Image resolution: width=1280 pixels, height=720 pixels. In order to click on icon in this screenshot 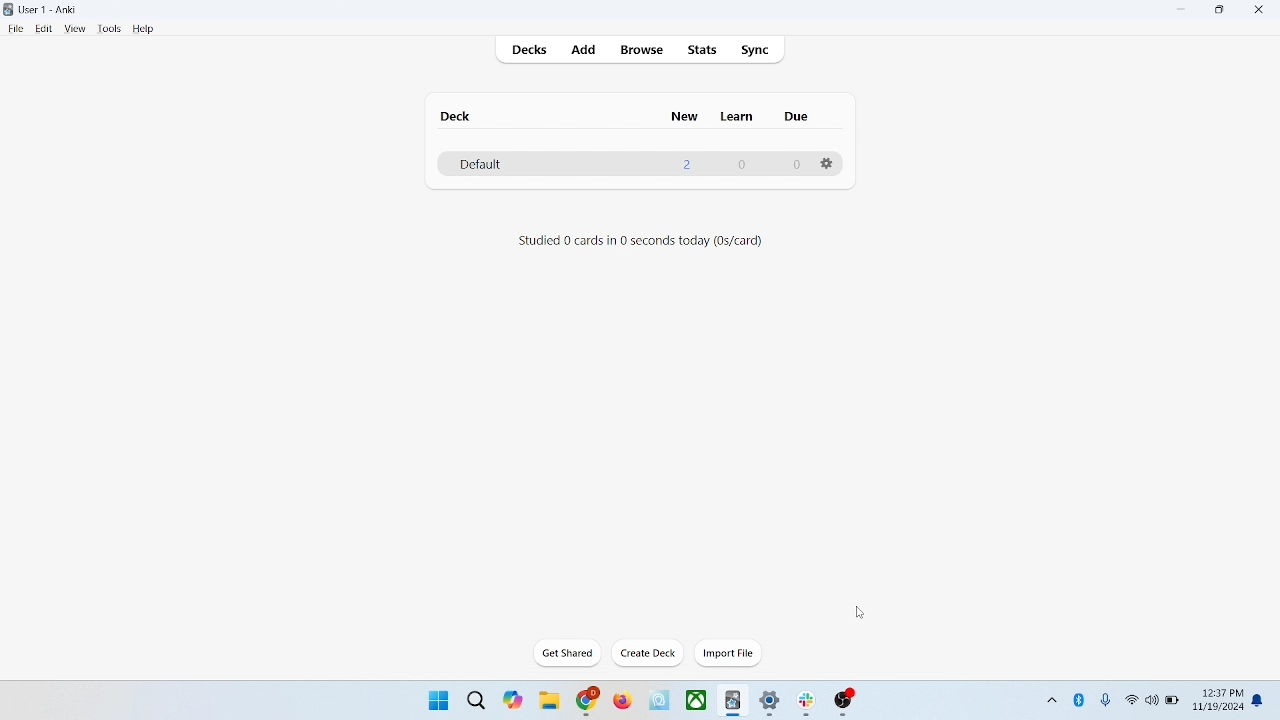, I will do `click(734, 702)`.